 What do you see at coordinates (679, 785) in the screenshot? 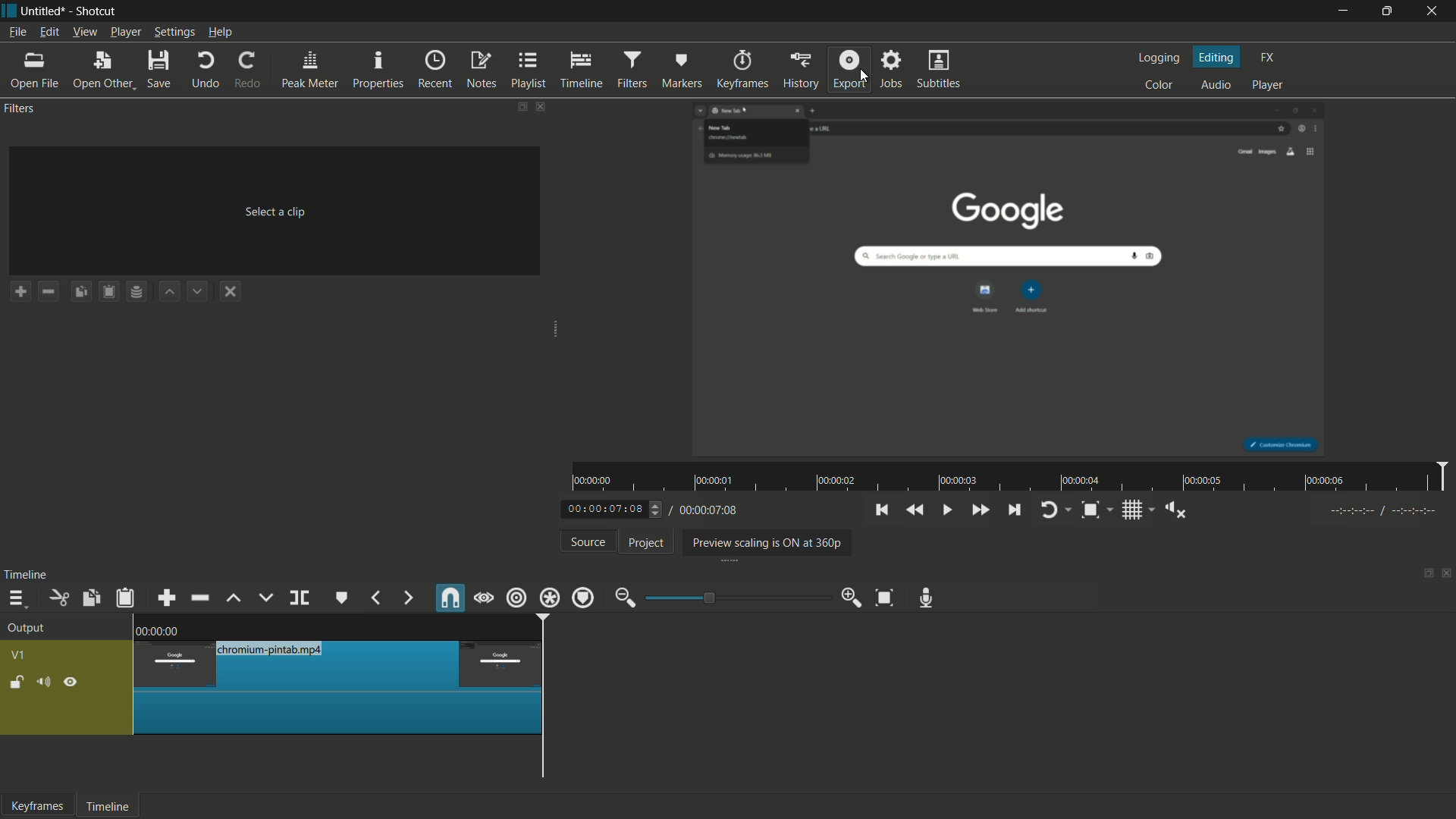
I see `scroll bar` at bounding box center [679, 785].